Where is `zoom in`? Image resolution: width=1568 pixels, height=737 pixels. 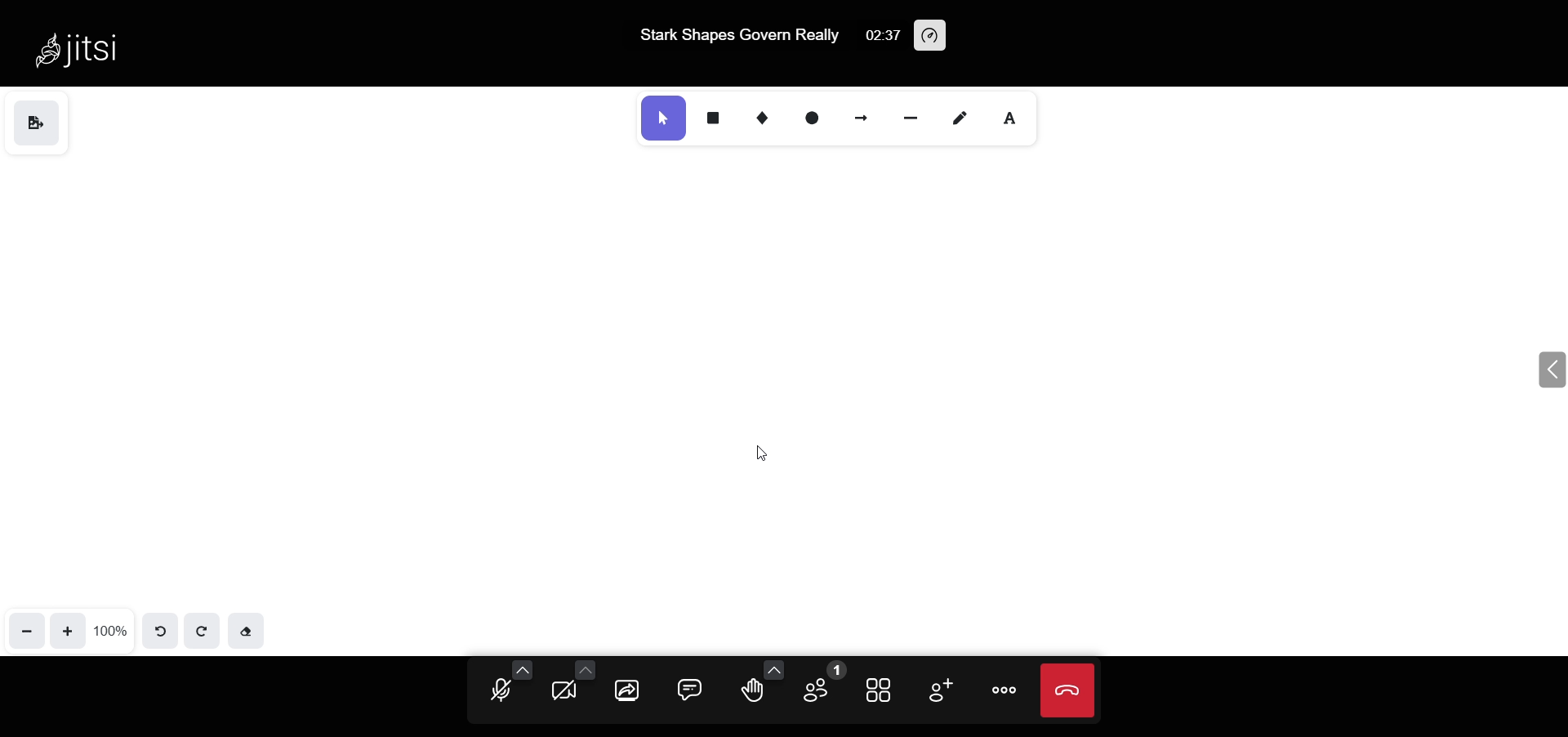
zoom in is located at coordinates (70, 629).